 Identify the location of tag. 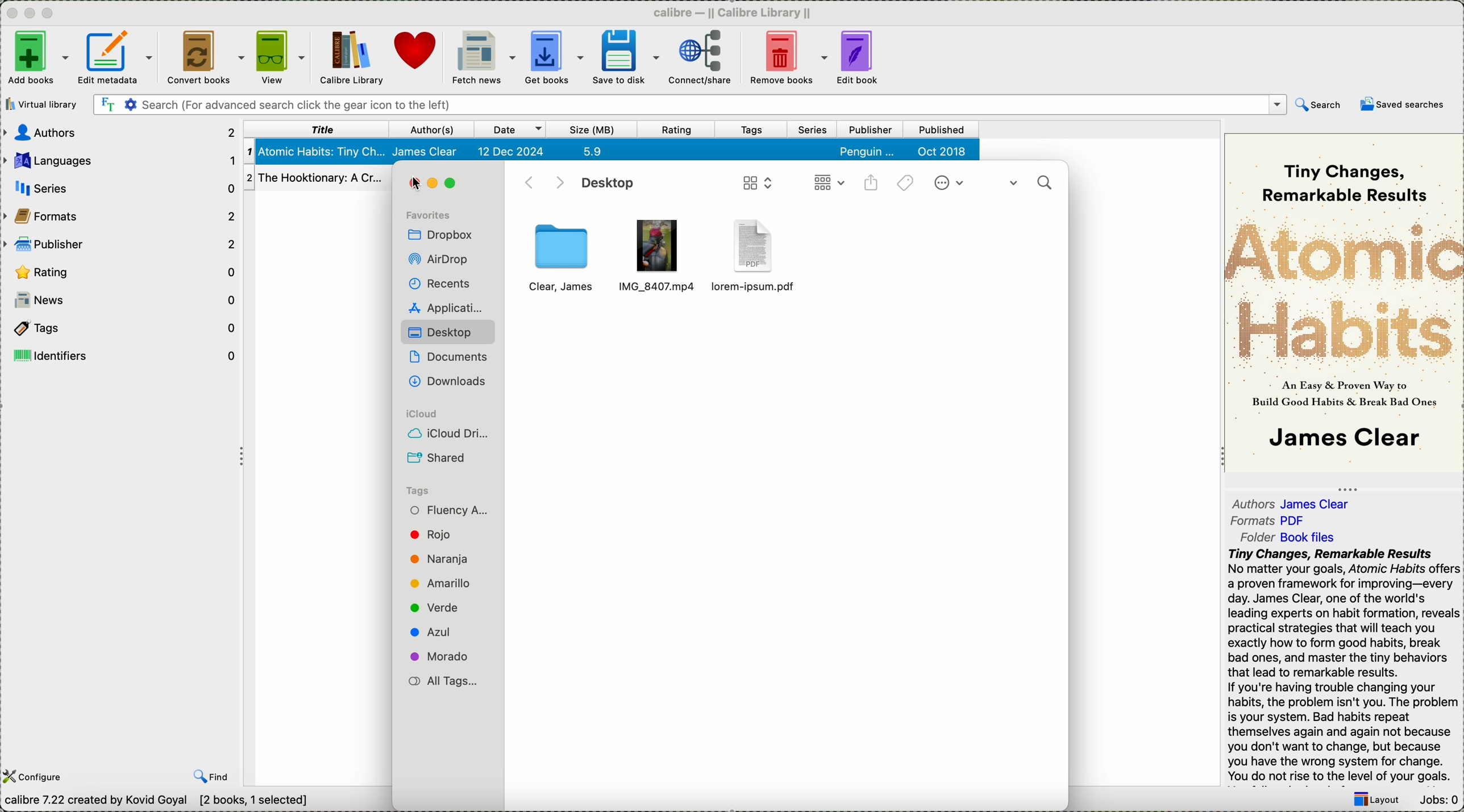
(438, 536).